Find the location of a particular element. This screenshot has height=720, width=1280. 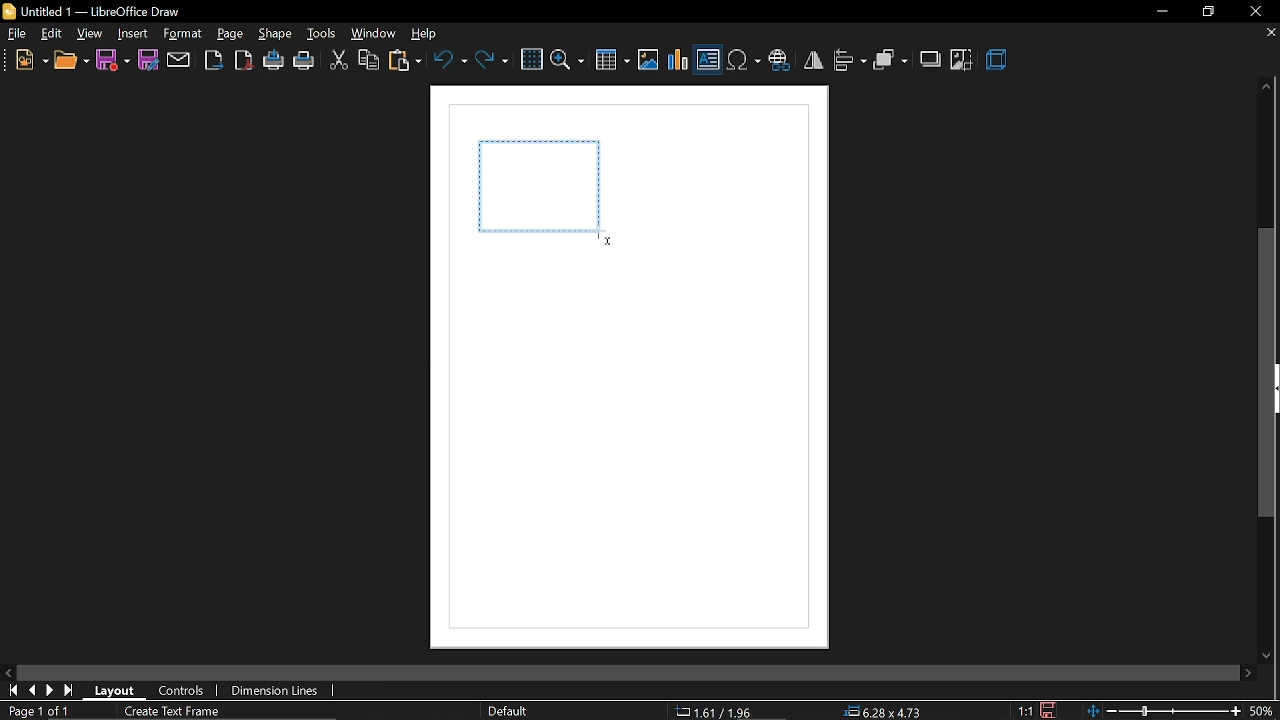

dimension lines is located at coordinates (276, 691).